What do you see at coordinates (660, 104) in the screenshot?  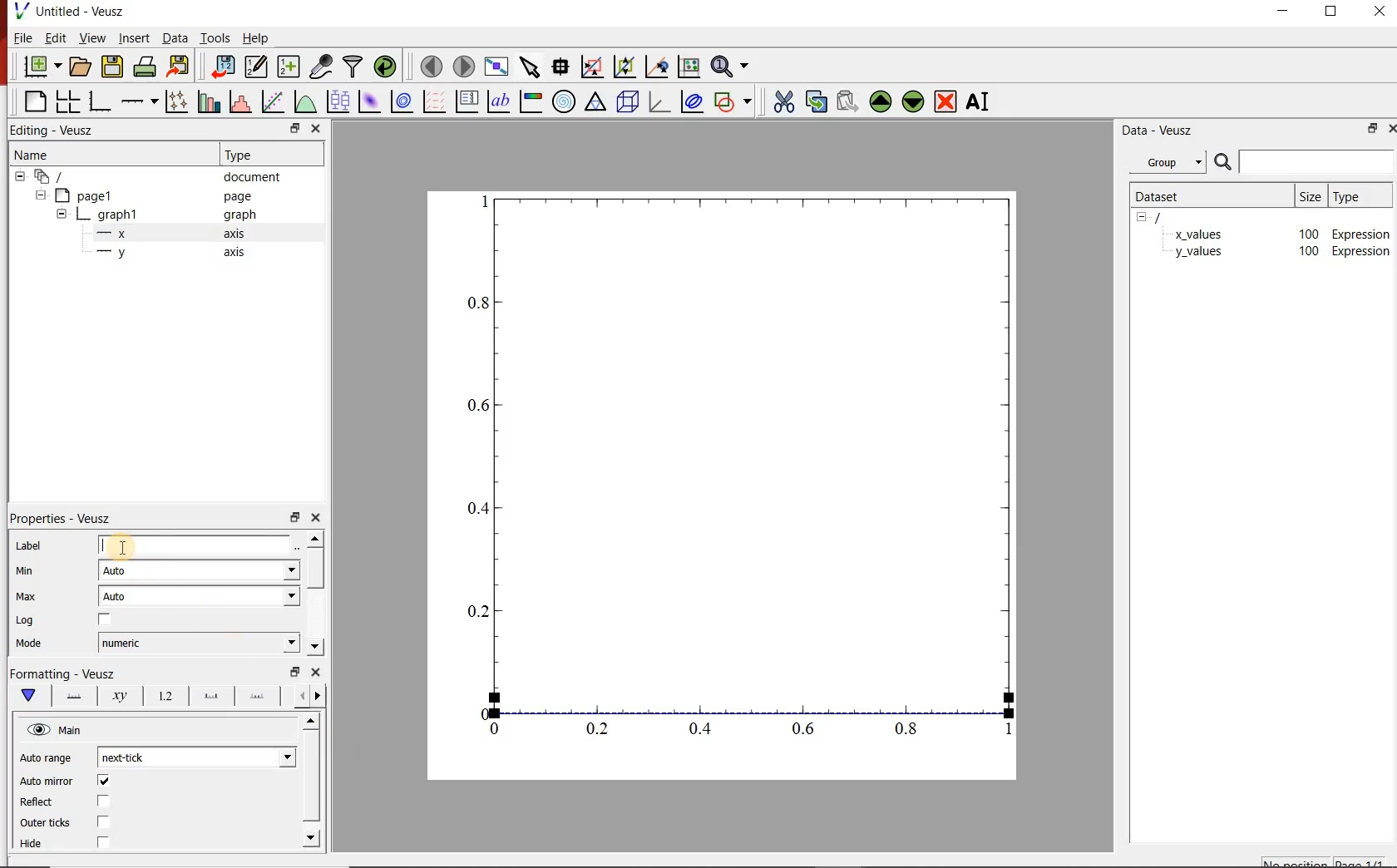 I see `3d graph` at bounding box center [660, 104].